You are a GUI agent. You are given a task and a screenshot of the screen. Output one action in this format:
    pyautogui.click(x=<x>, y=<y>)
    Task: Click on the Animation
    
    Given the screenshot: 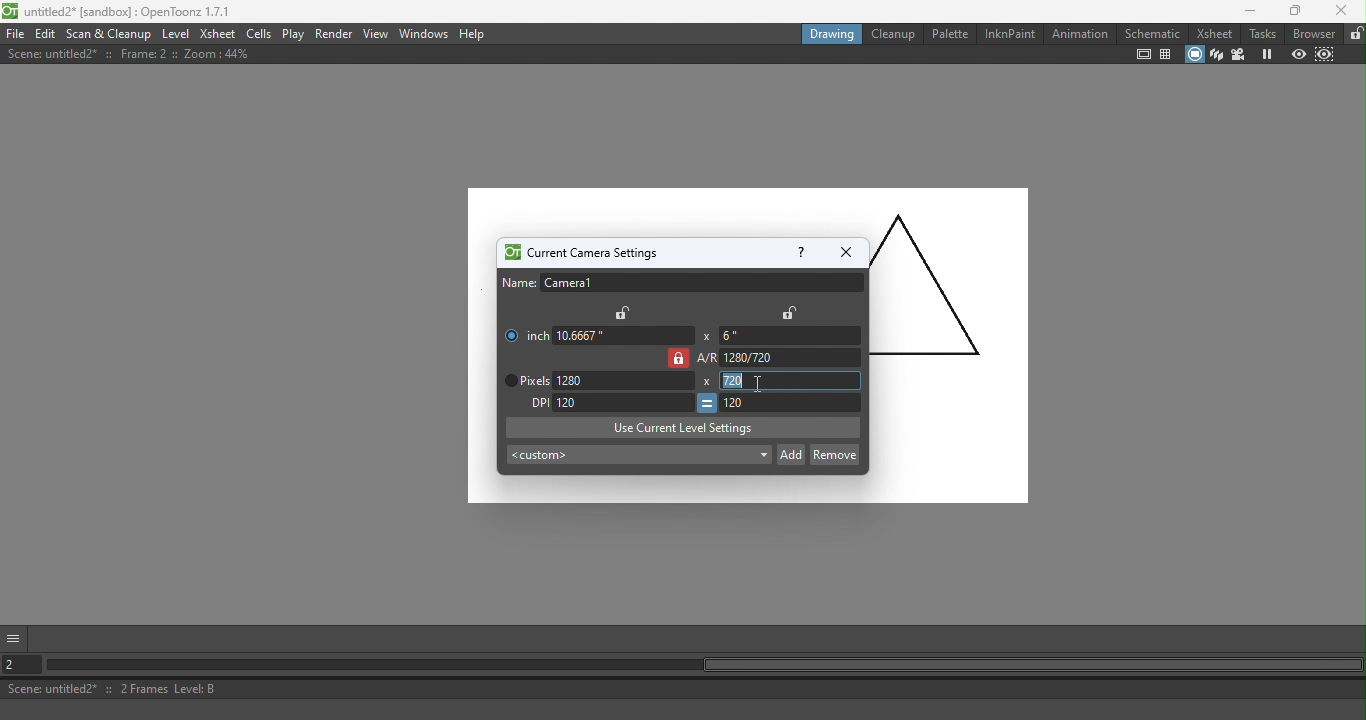 What is the action you would take?
    pyautogui.click(x=1078, y=33)
    